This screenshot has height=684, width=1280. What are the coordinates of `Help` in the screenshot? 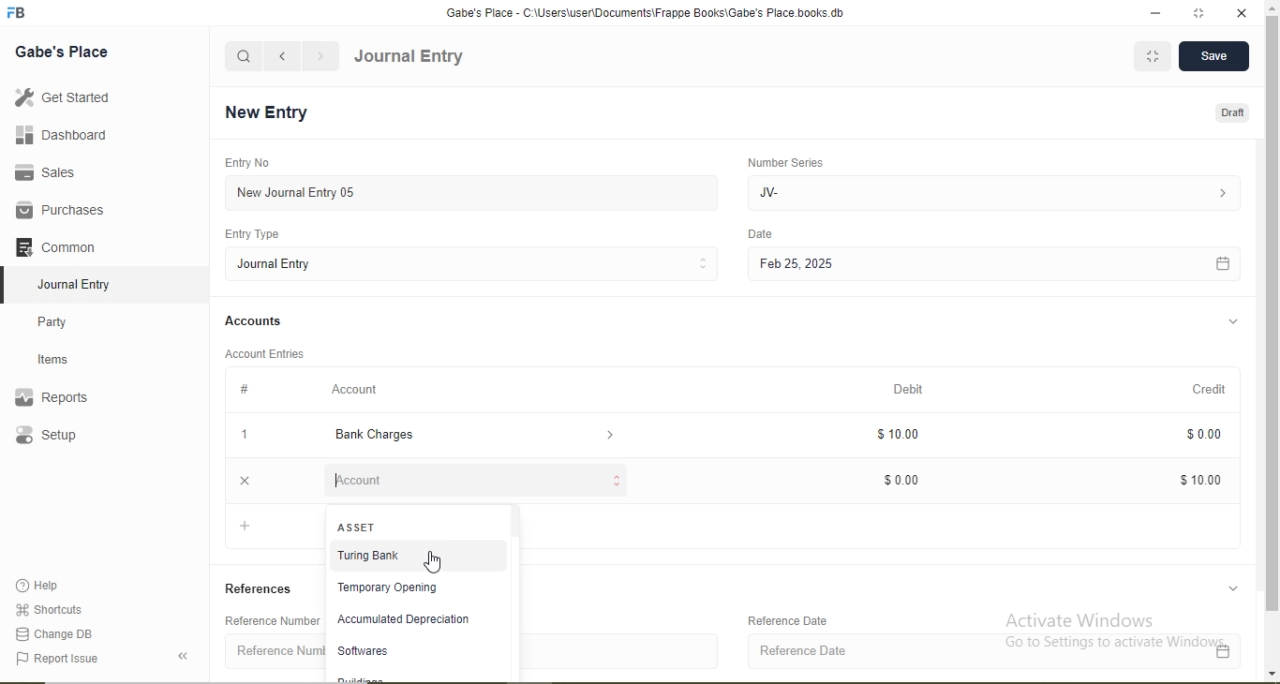 It's located at (46, 586).